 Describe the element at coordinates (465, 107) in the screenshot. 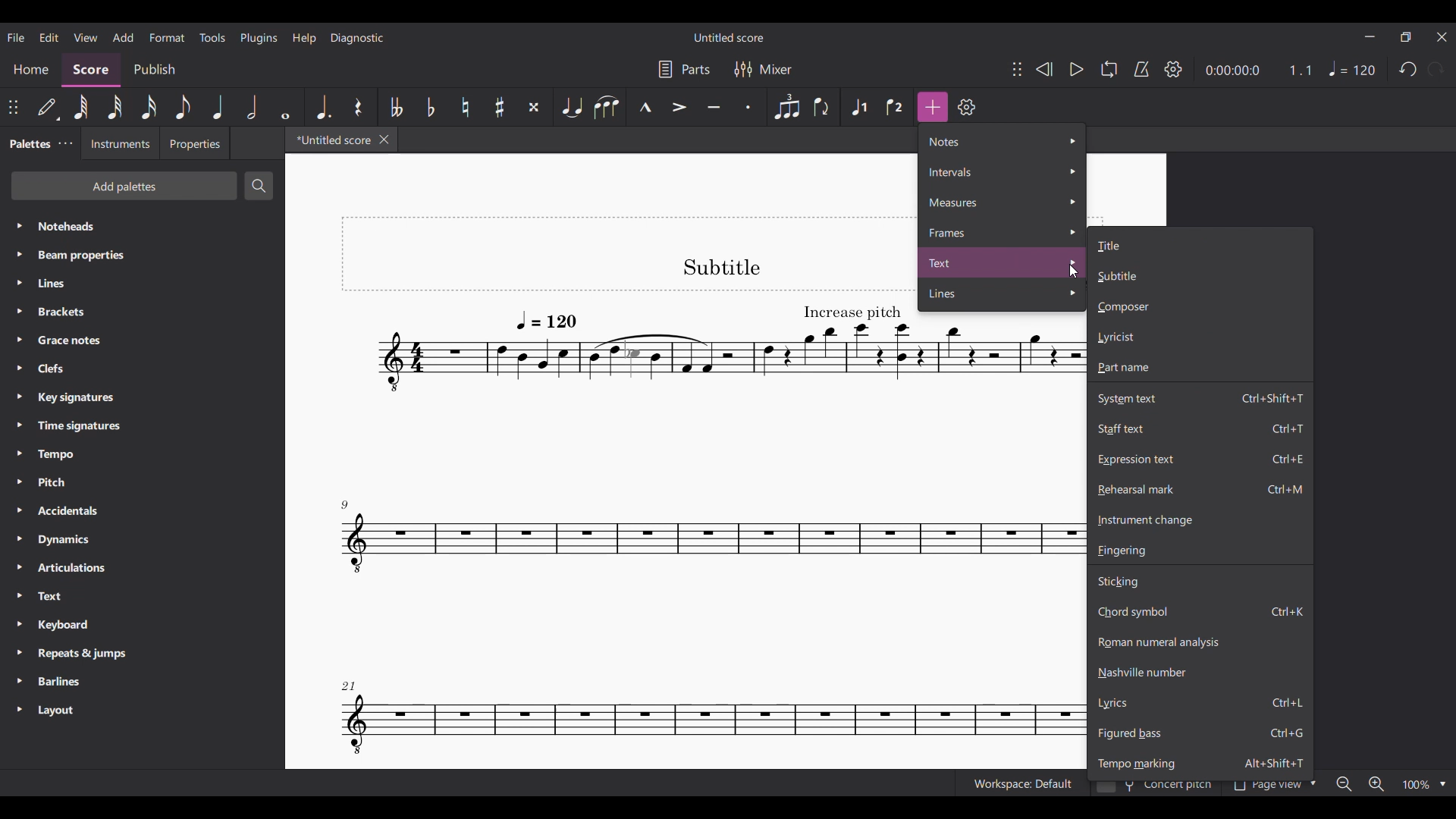

I see `Toggle natural` at that location.